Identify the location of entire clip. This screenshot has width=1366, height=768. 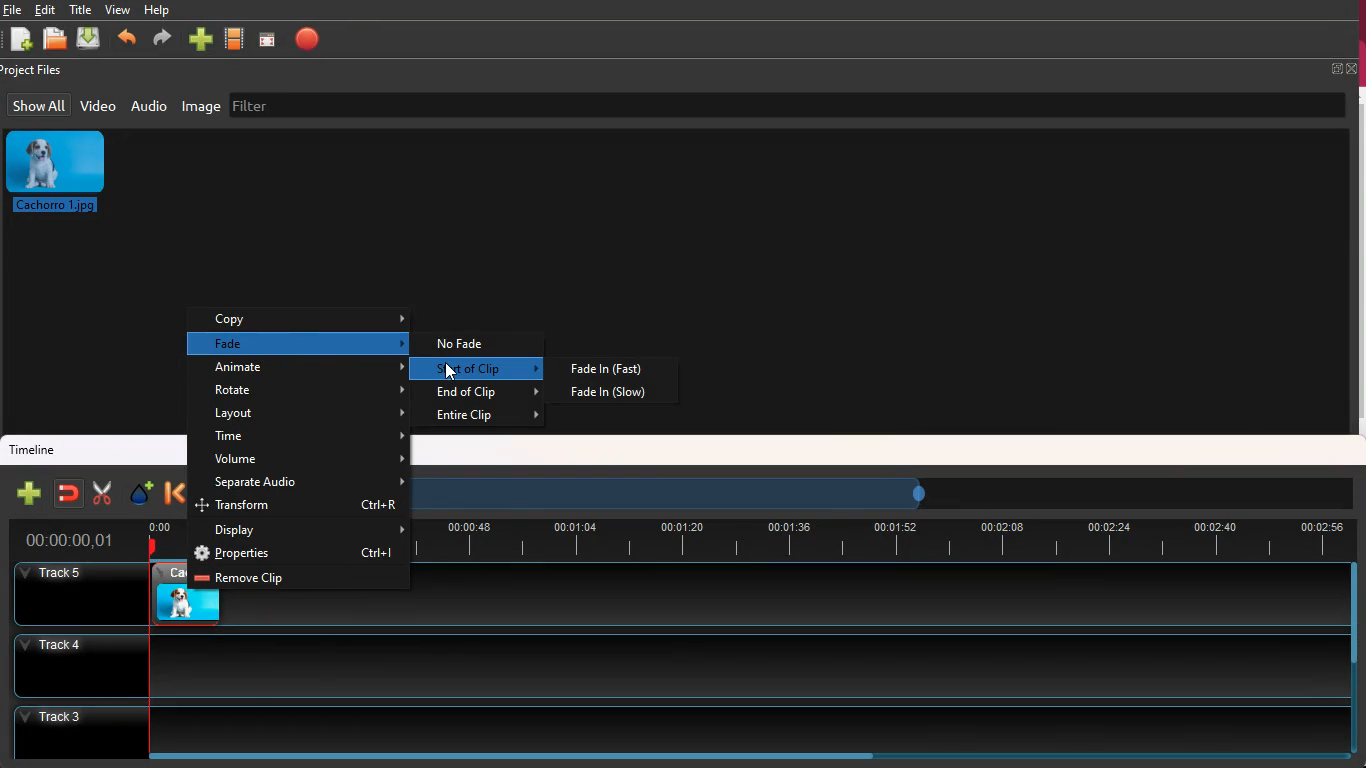
(486, 417).